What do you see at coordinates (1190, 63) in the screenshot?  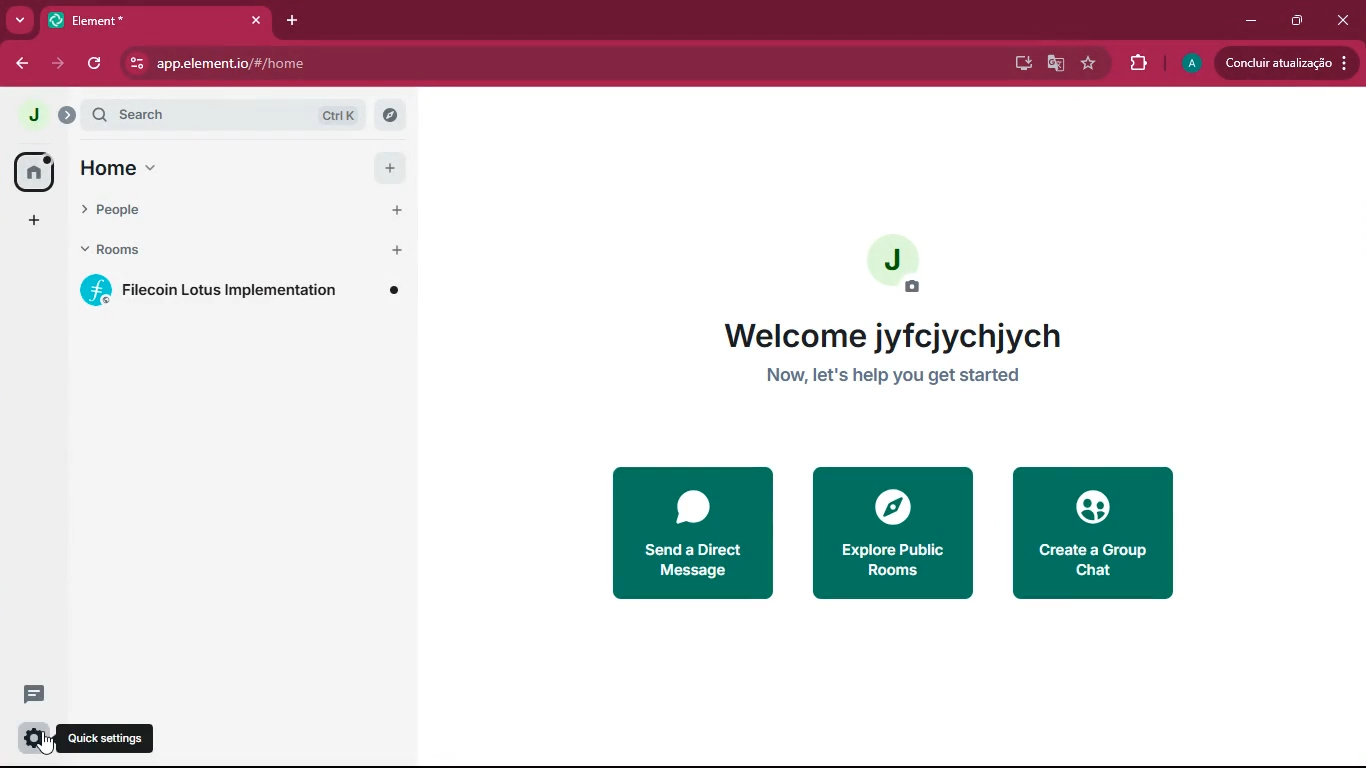 I see `profile` at bounding box center [1190, 63].